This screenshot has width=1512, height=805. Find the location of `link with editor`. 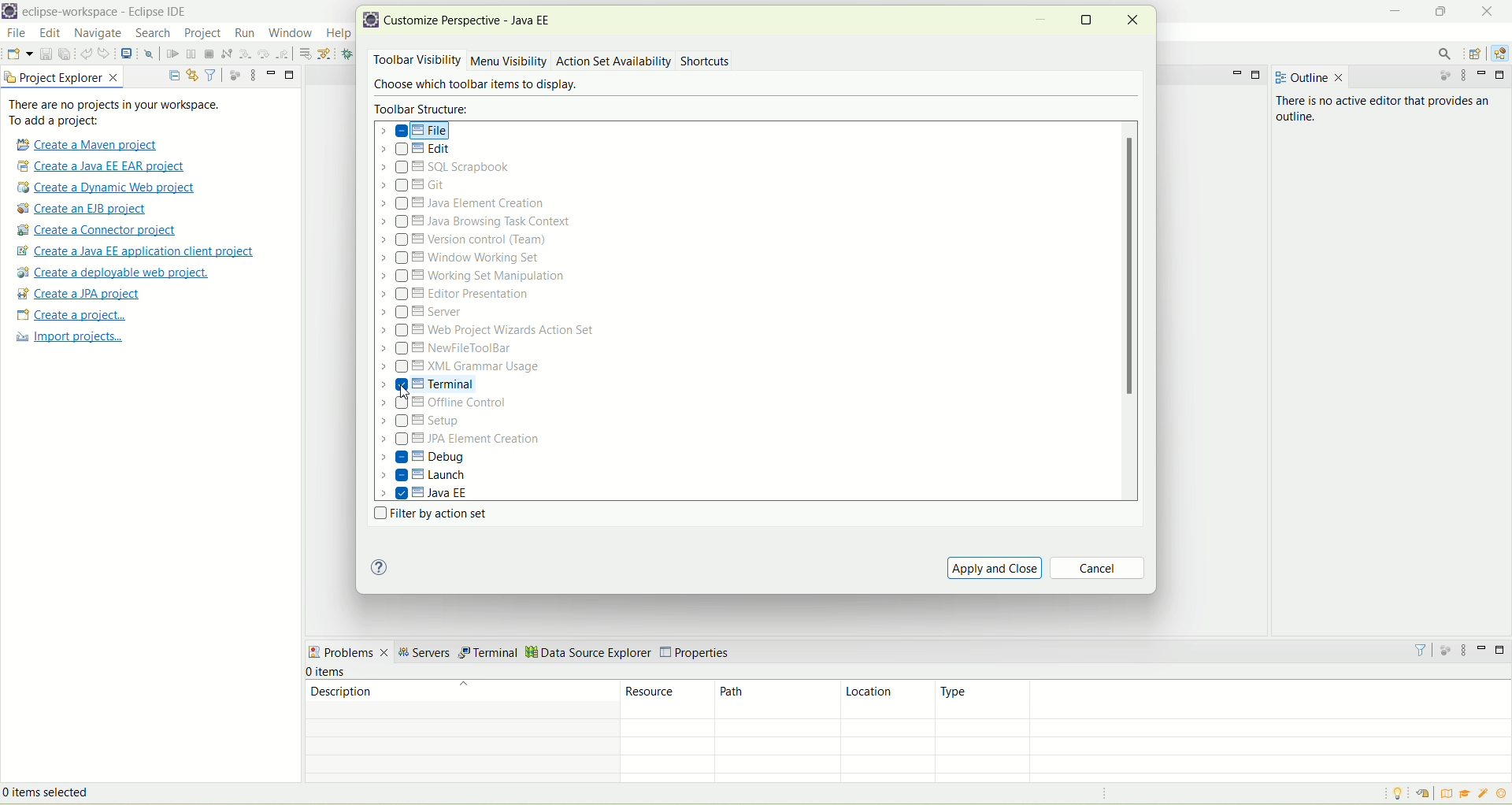

link with editor is located at coordinates (192, 74).